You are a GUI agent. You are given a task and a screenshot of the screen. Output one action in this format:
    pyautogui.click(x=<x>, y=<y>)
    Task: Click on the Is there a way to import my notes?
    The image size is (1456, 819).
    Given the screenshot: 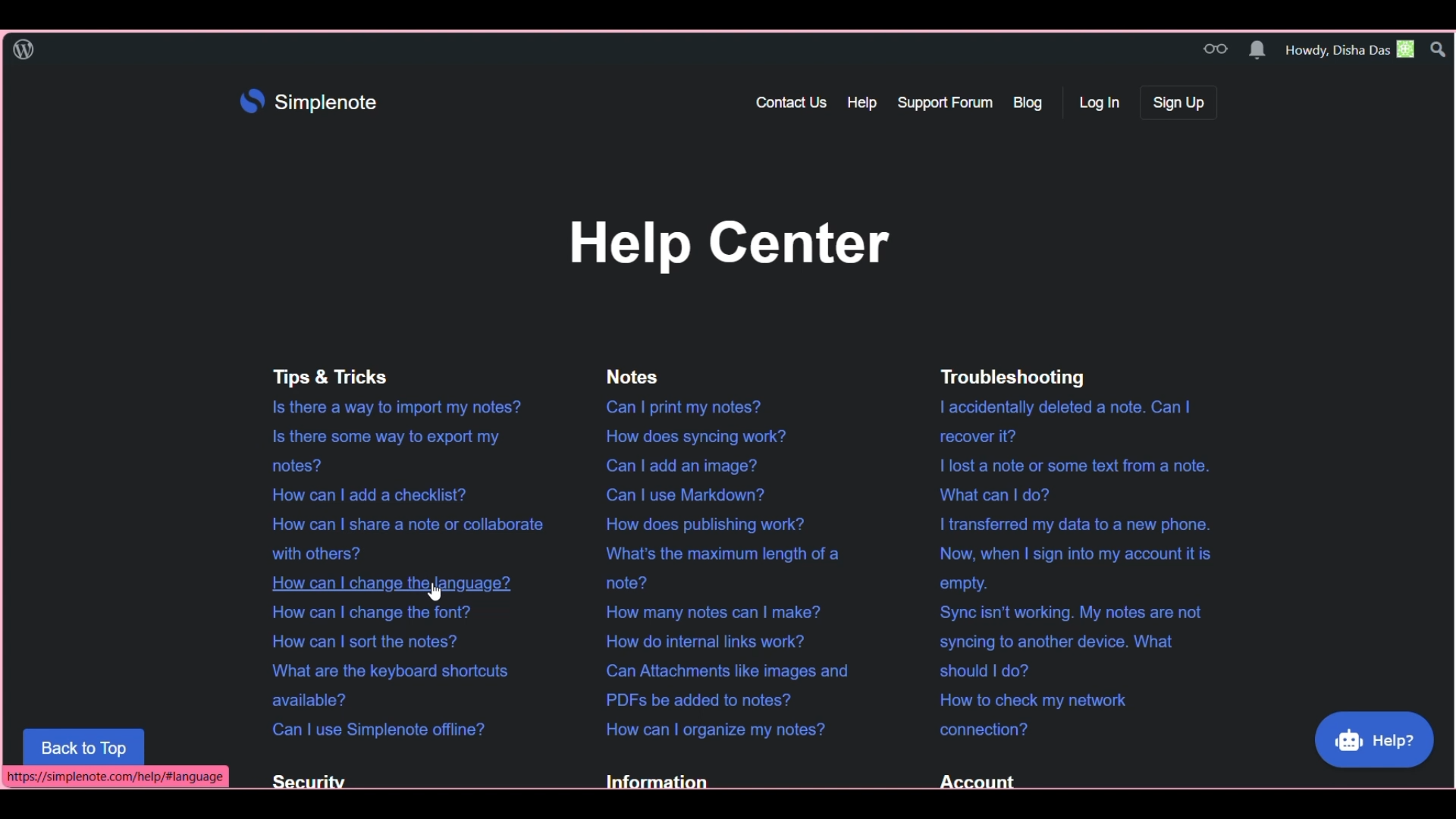 What is the action you would take?
    pyautogui.click(x=389, y=409)
    